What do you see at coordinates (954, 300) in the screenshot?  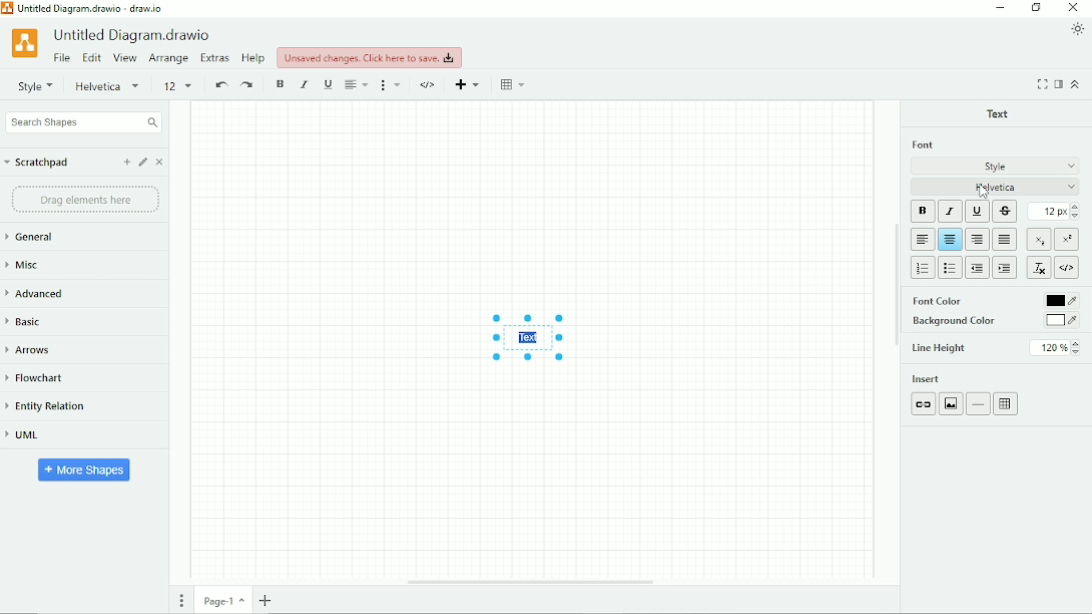 I see `Font Color` at bounding box center [954, 300].